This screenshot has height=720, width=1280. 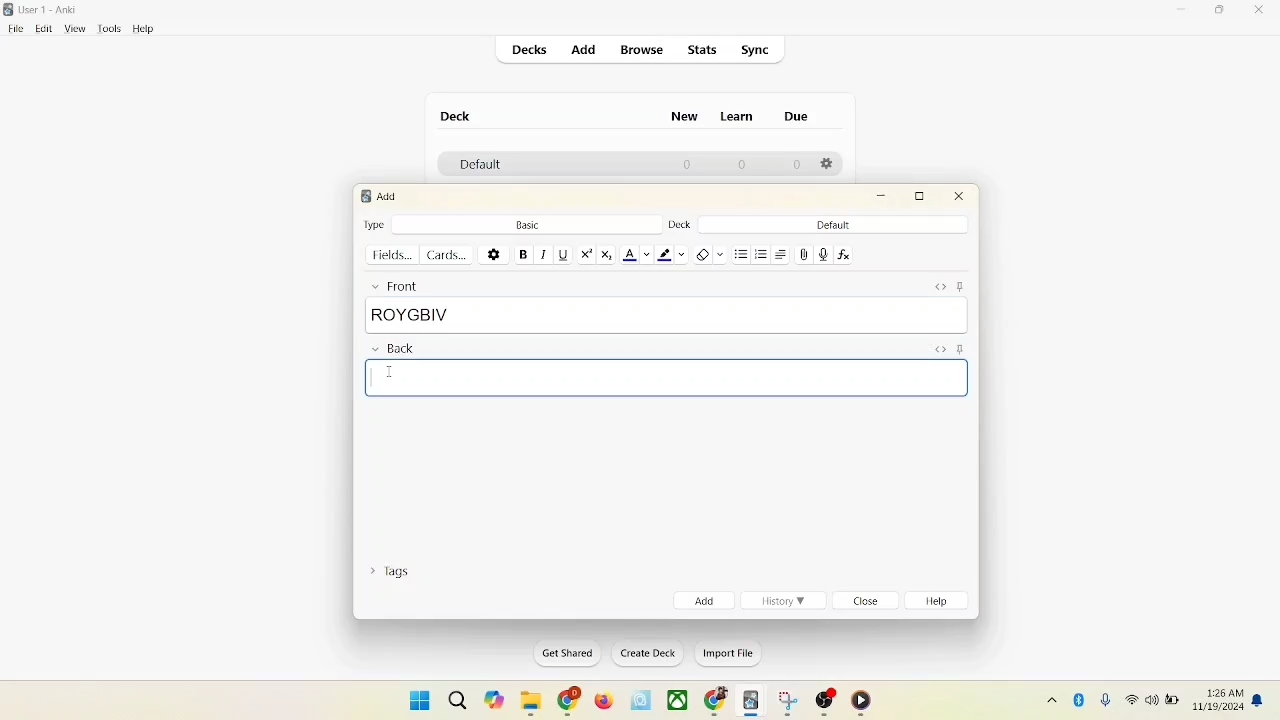 I want to click on ROYGBIV, so click(x=666, y=315).